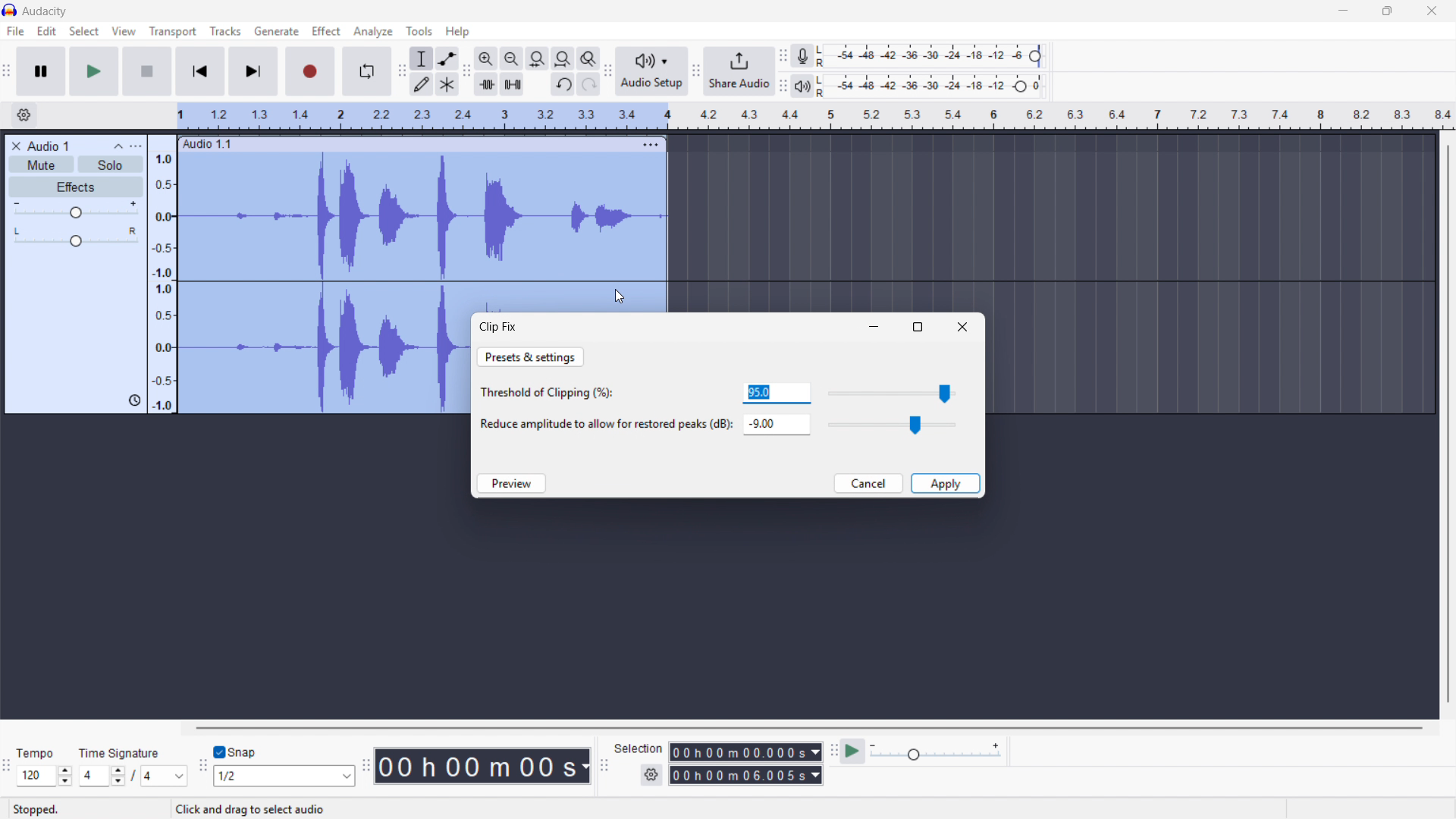 The width and height of the screenshot is (1456, 819). I want to click on Track control panel menu, so click(136, 146).